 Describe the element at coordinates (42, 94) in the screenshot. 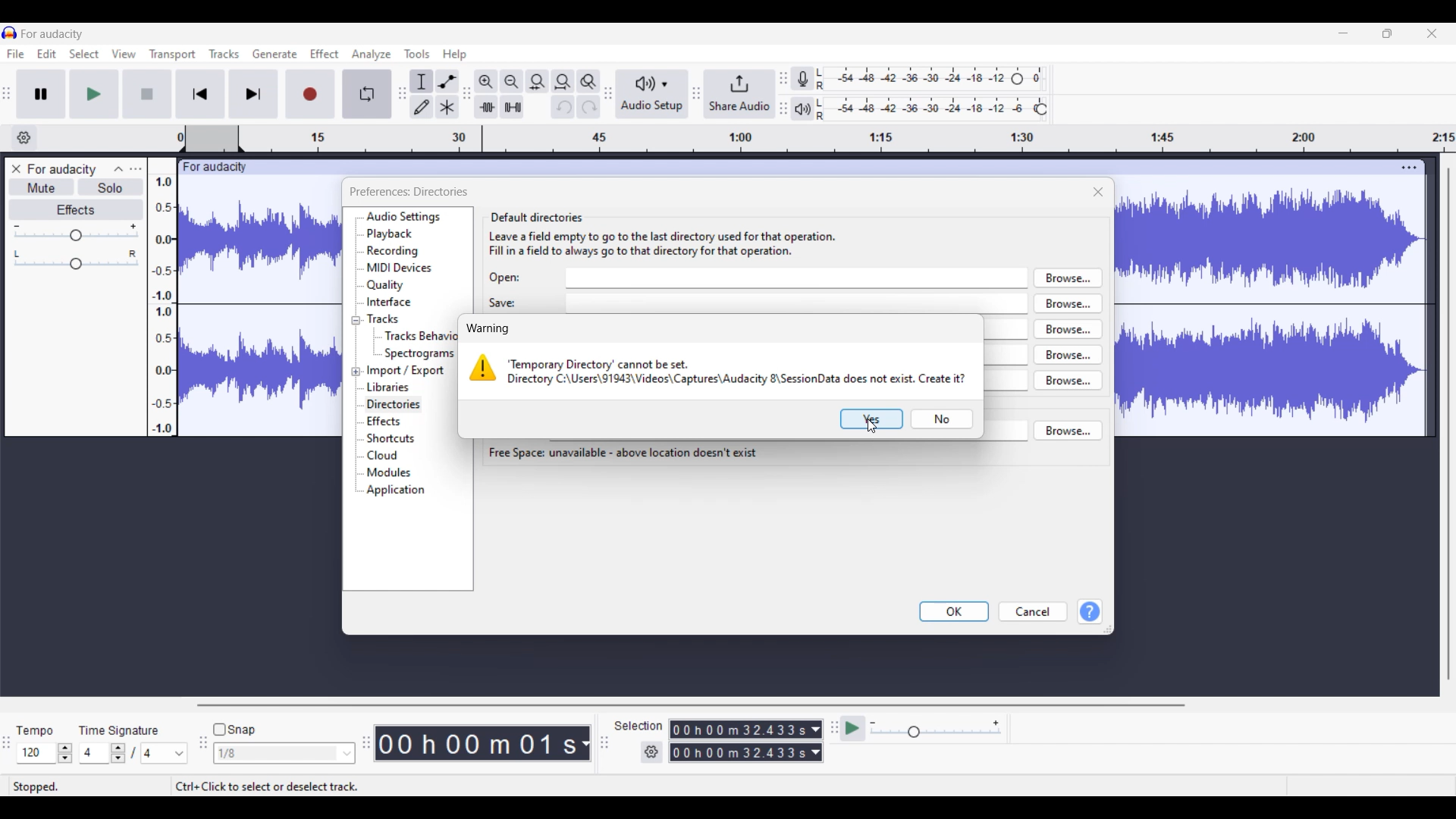

I see `Pause` at that location.